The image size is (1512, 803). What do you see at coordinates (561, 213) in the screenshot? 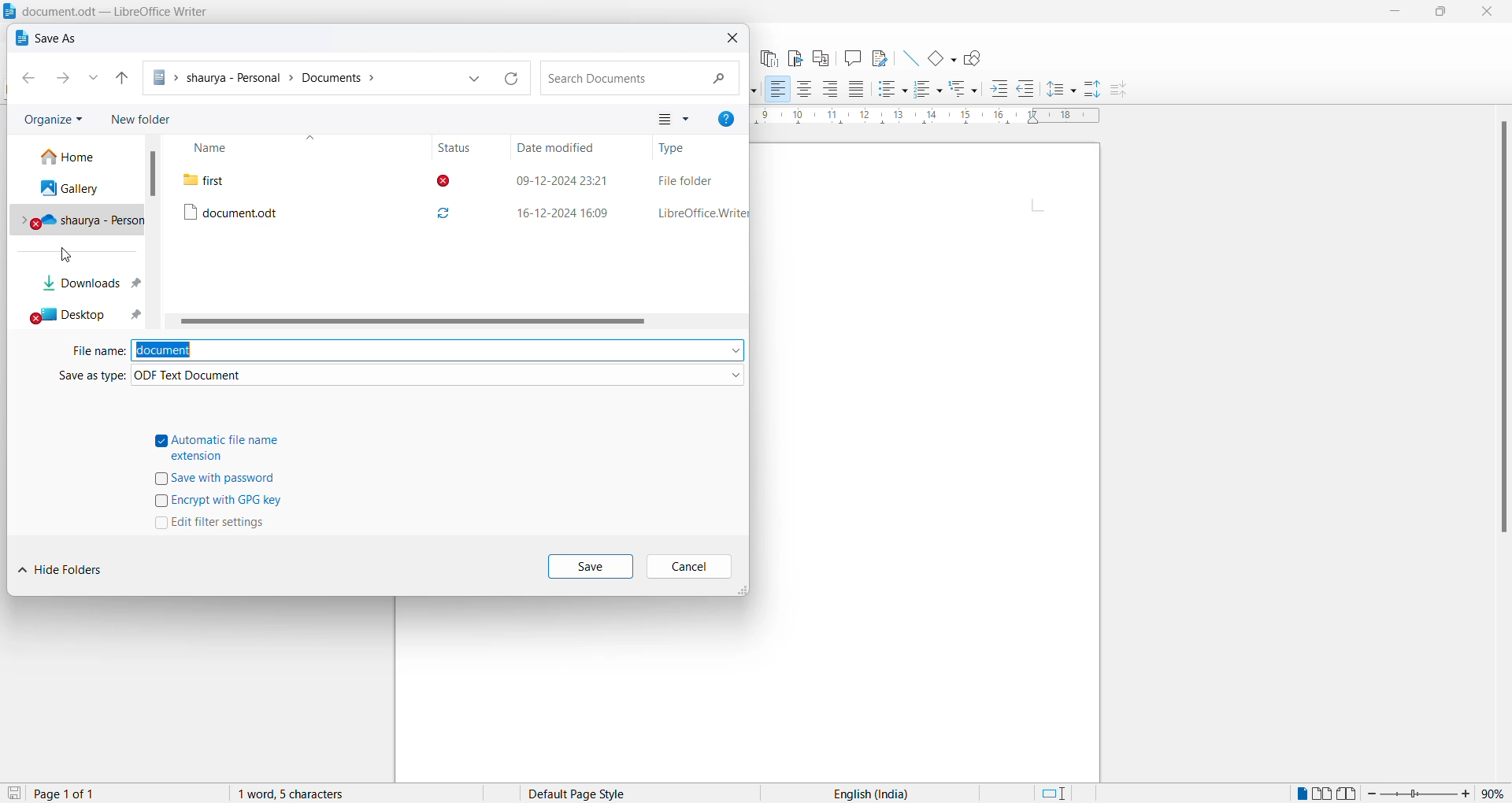
I see `16-12-2024 16:09` at bounding box center [561, 213].